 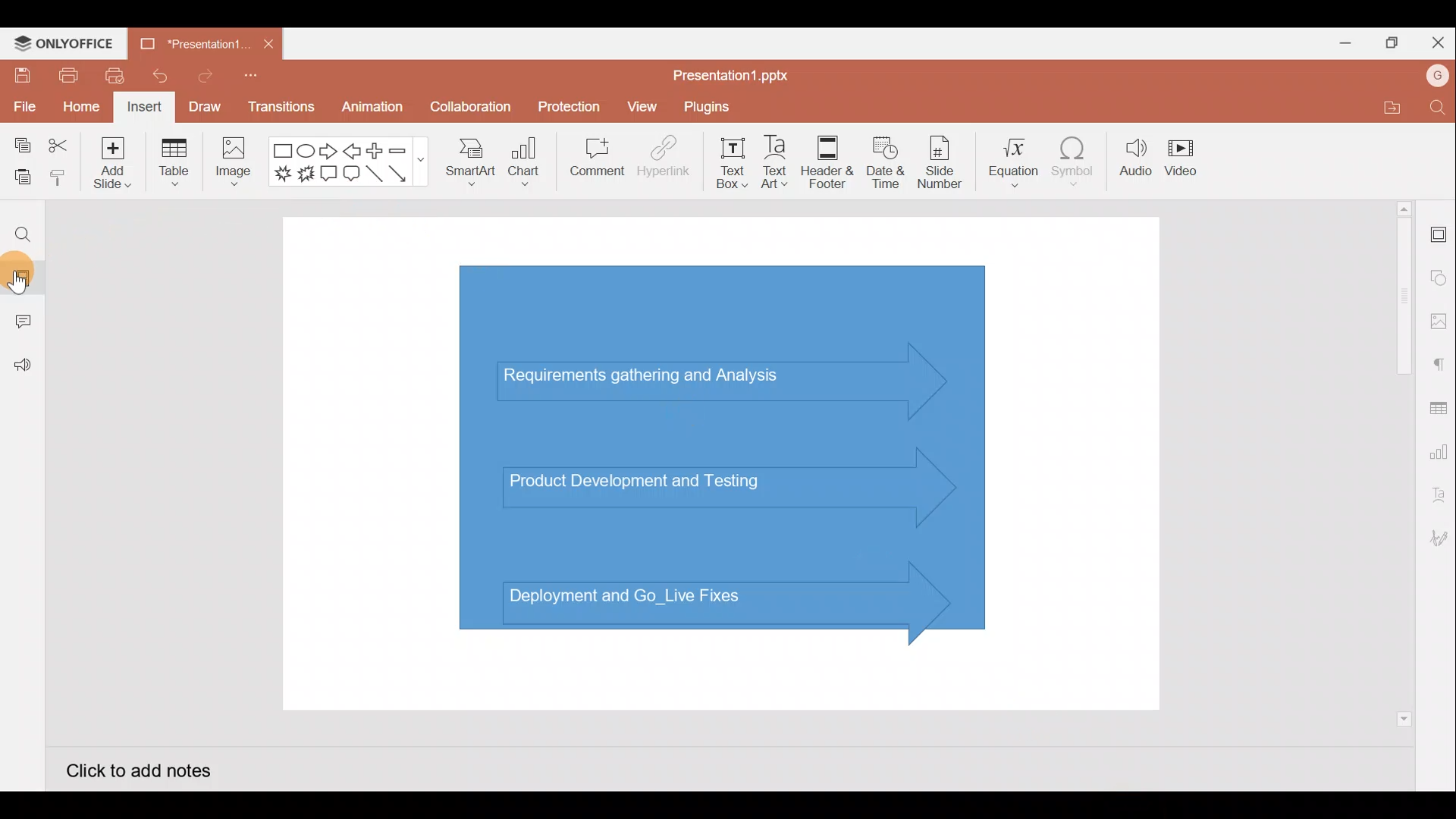 What do you see at coordinates (194, 43) in the screenshot?
I see `*Presentation1...` at bounding box center [194, 43].